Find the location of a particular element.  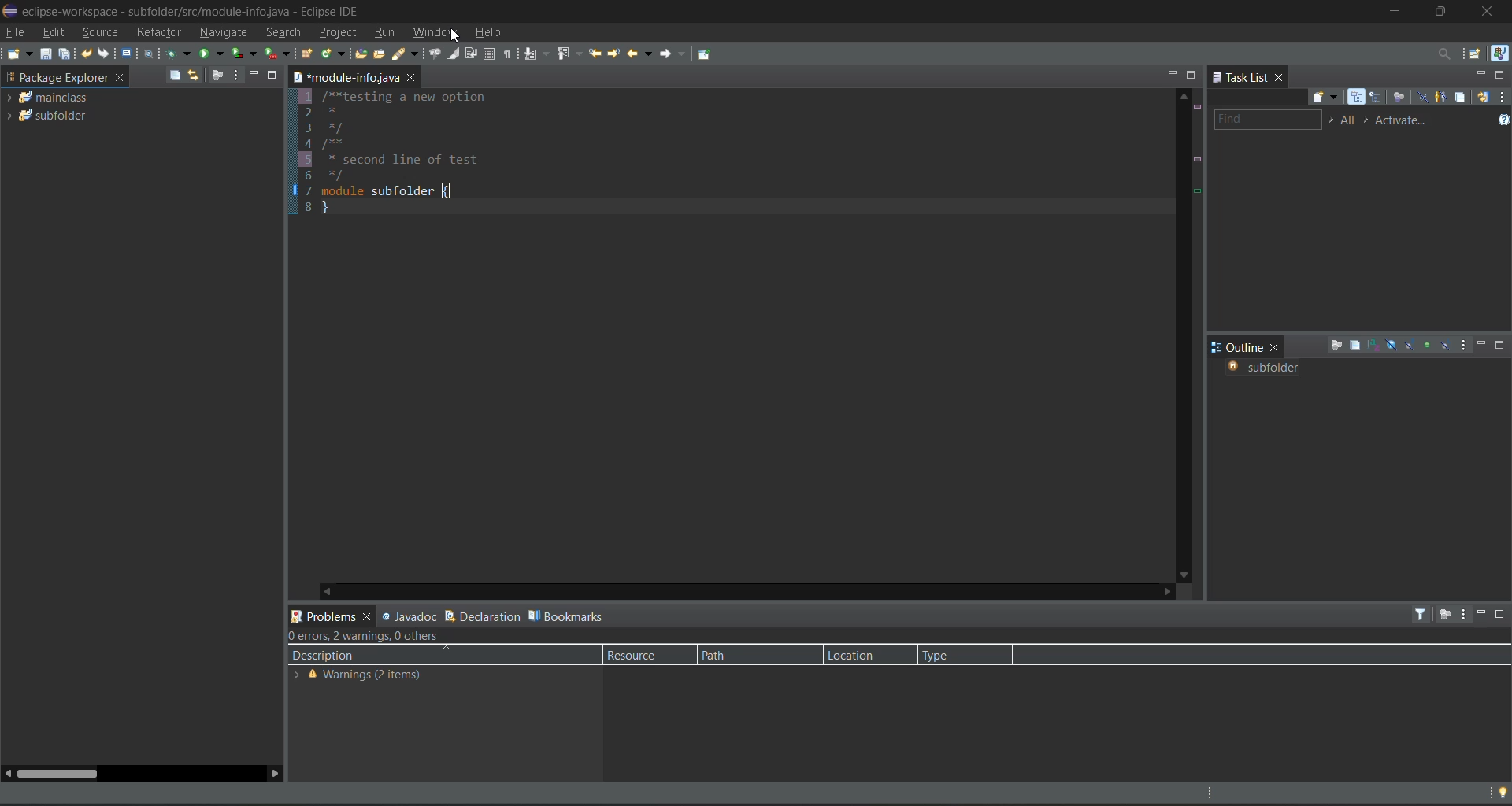

information is located at coordinates (372, 676).